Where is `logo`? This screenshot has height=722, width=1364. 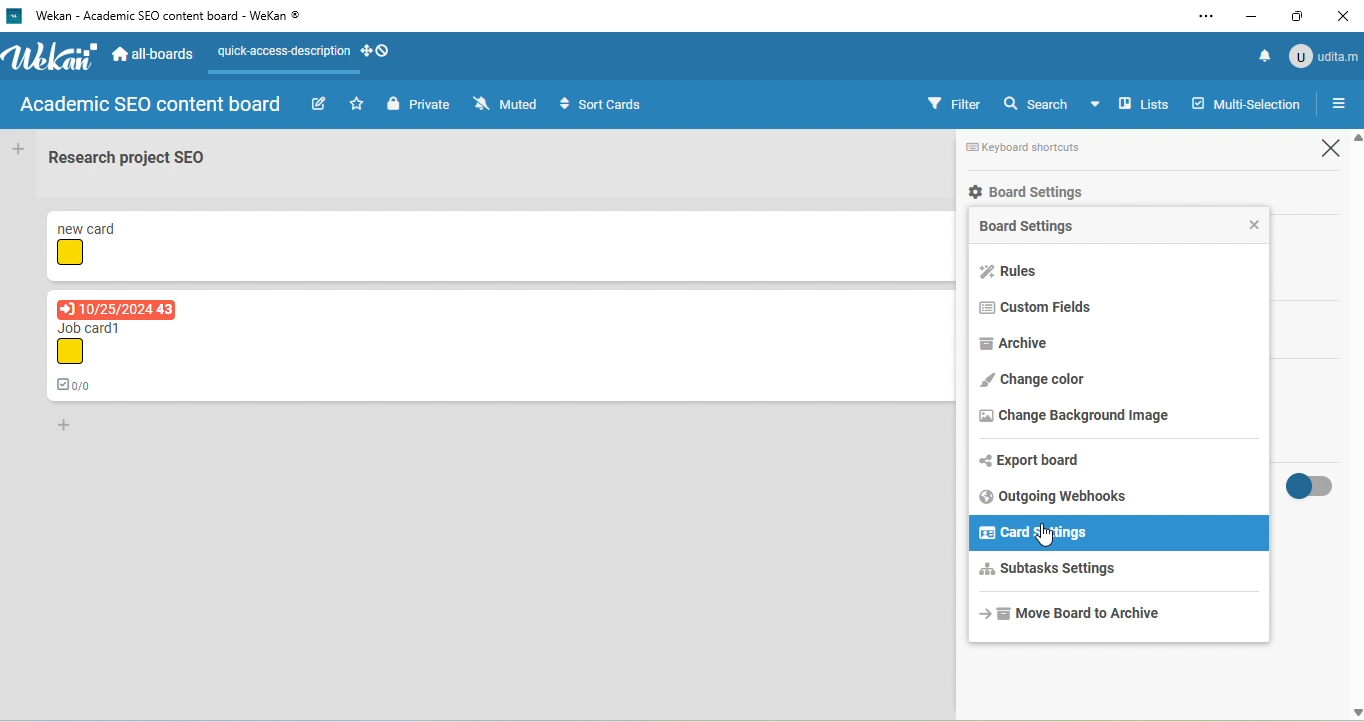 logo is located at coordinates (55, 57).